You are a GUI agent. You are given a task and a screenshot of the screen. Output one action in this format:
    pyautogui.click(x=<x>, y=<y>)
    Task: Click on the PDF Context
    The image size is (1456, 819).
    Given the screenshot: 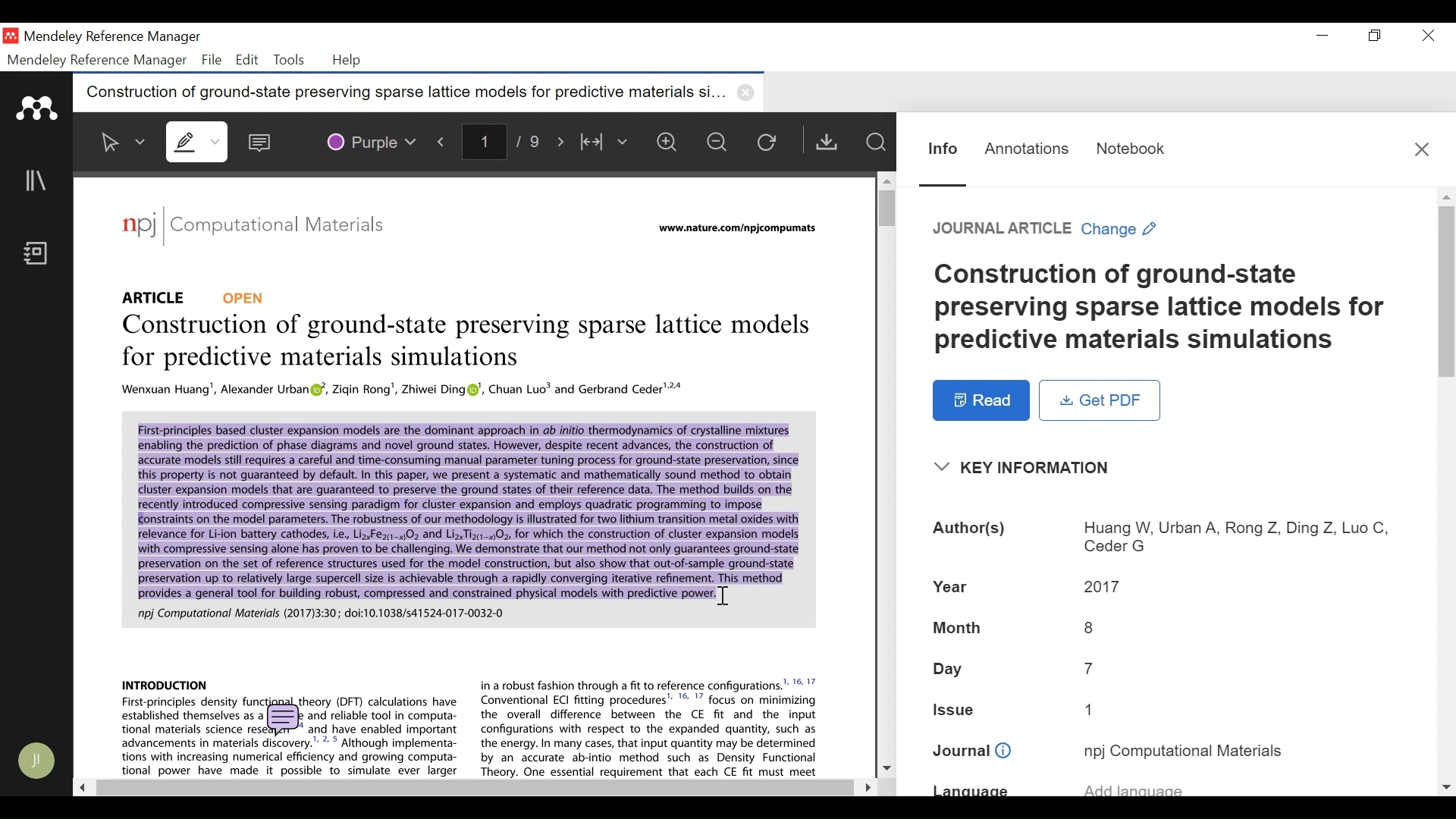 What is the action you would take?
    pyautogui.click(x=469, y=523)
    